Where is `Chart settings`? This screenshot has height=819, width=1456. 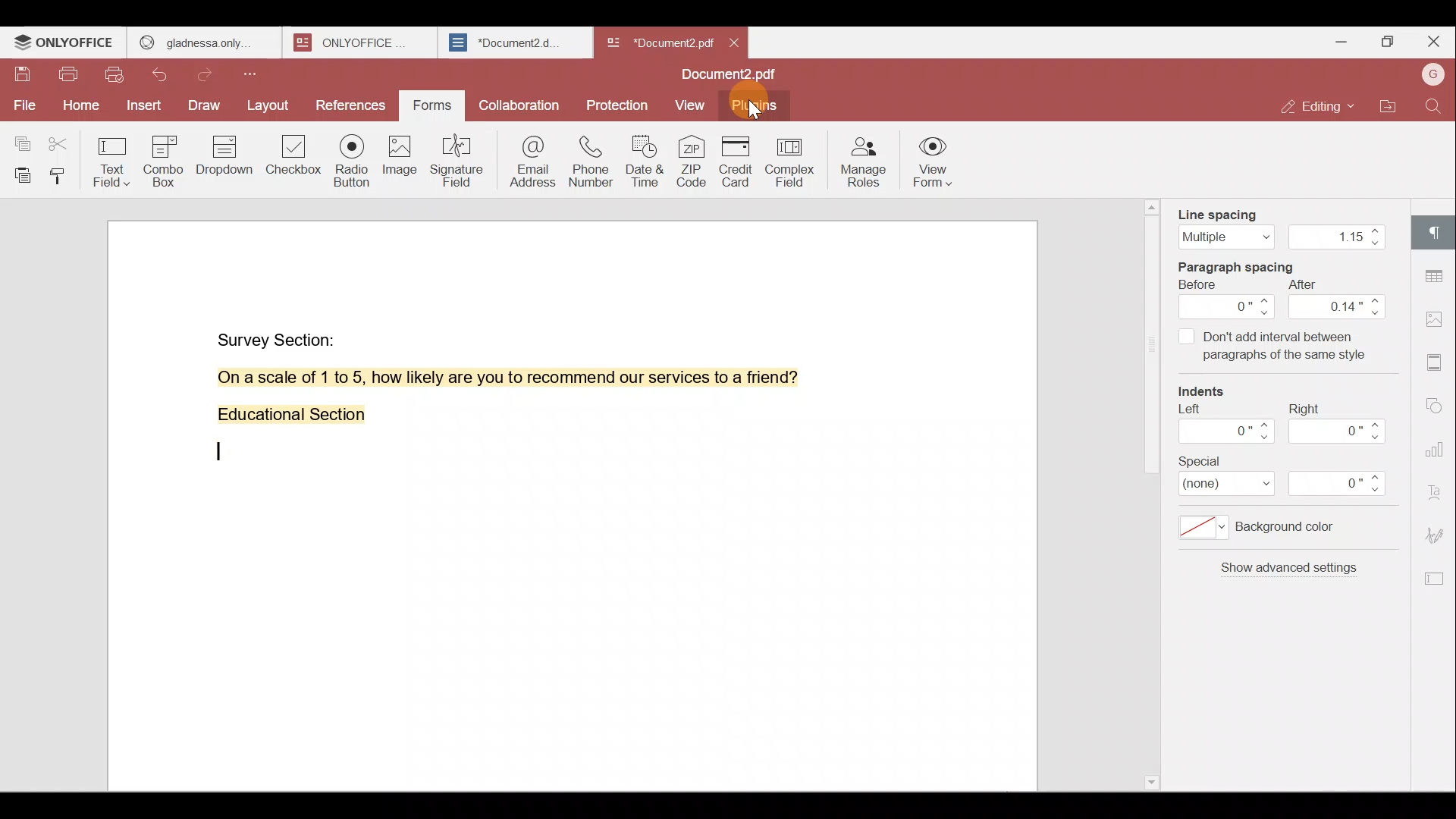 Chart settings is located at coordinates (1439, 441).